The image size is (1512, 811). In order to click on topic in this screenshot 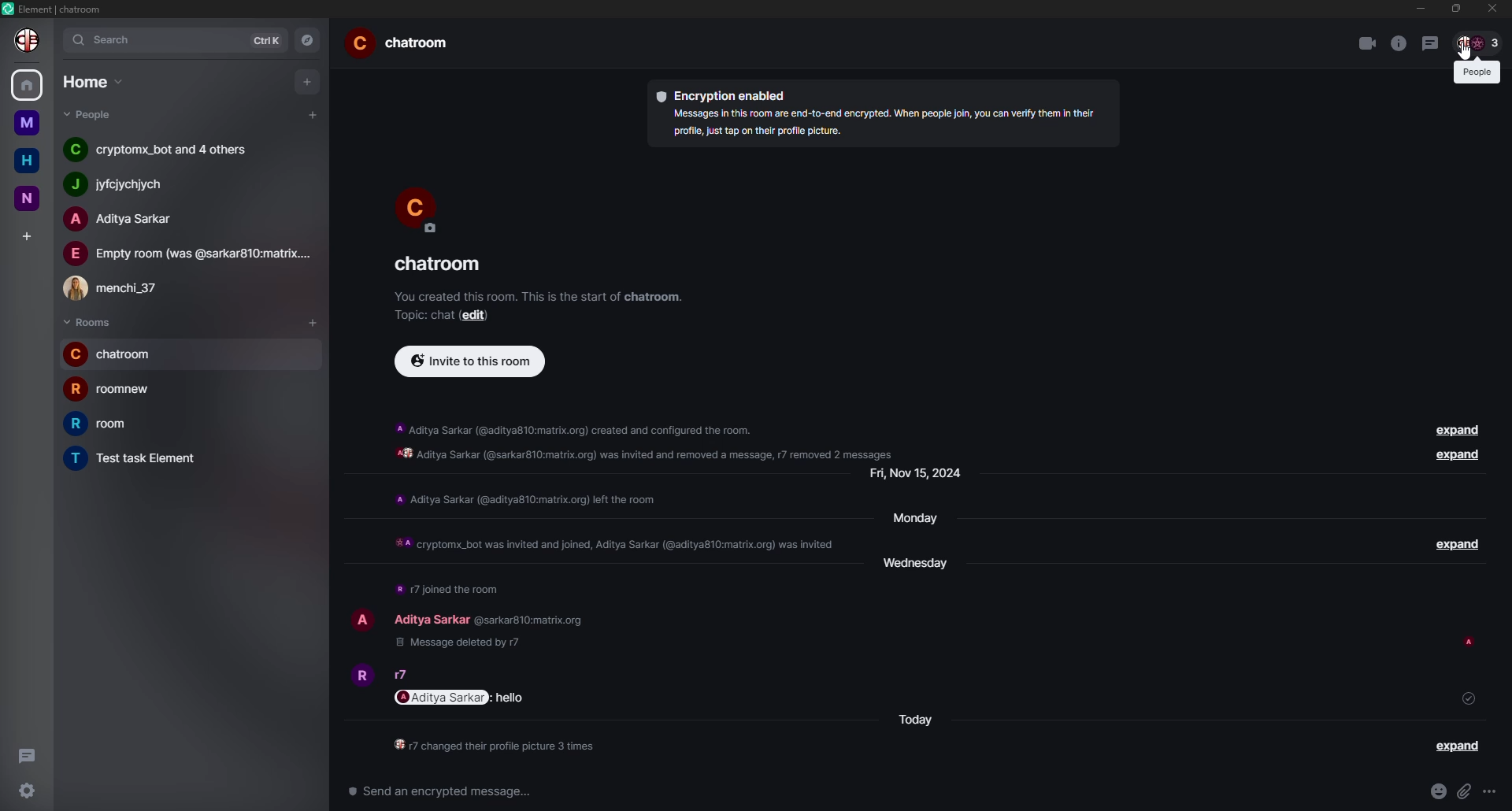, I will do `click(421, 315)`.